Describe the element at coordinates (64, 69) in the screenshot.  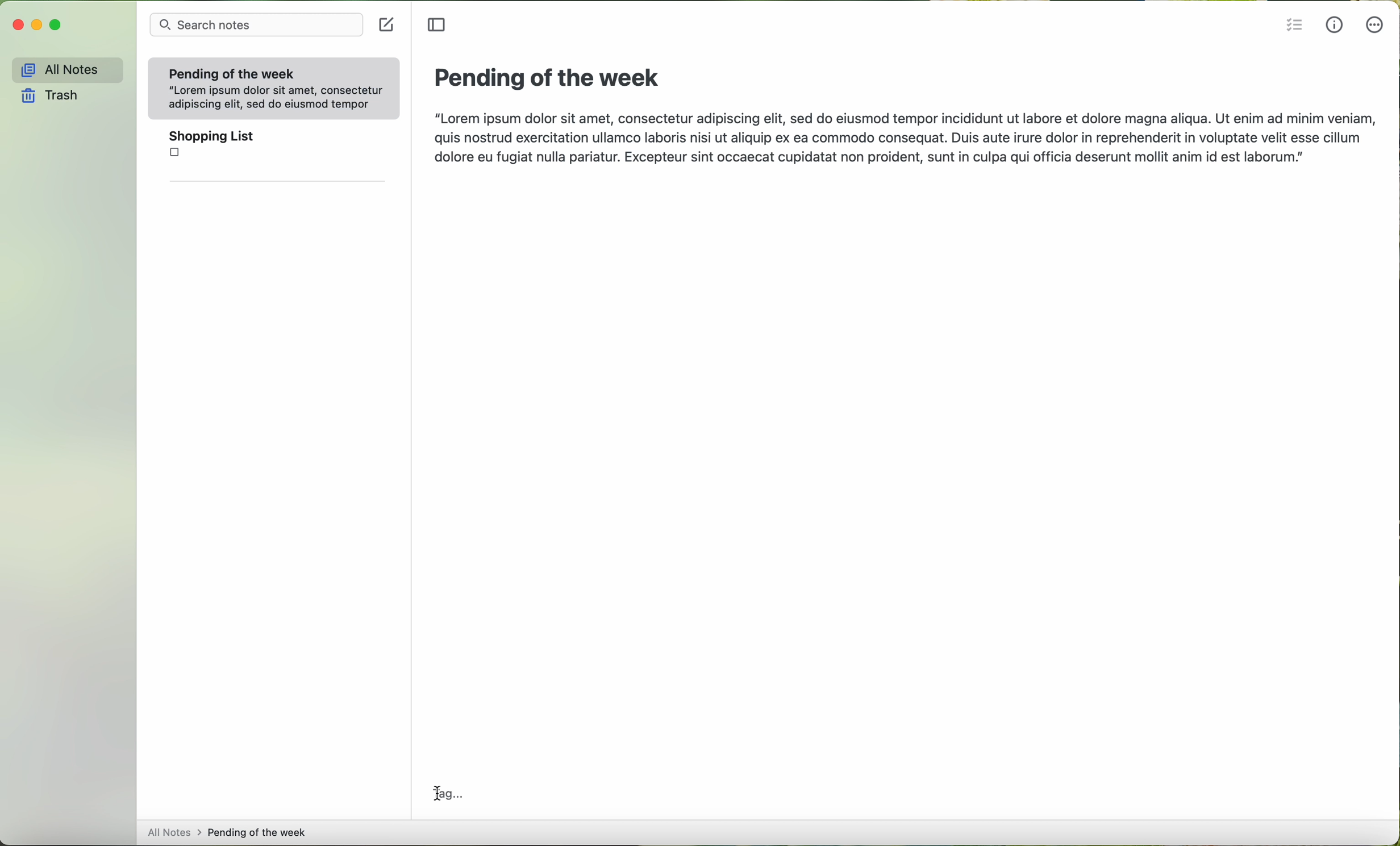
I see `all notes` at that location.